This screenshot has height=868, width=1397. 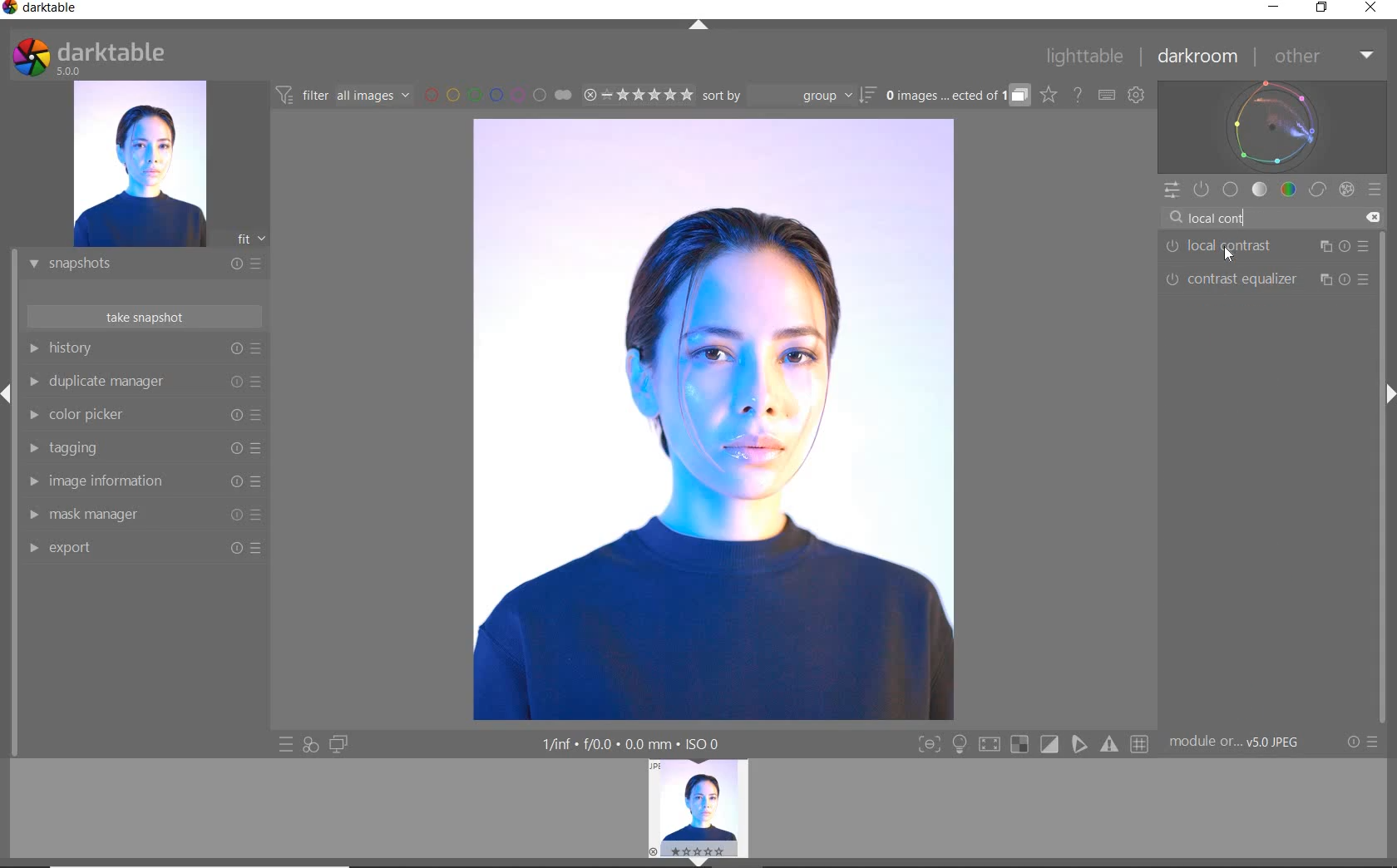 What do you see at coordinates (1289, 189) in the screenshot?
I see `COLOR` at bounding box center [1289, 189].